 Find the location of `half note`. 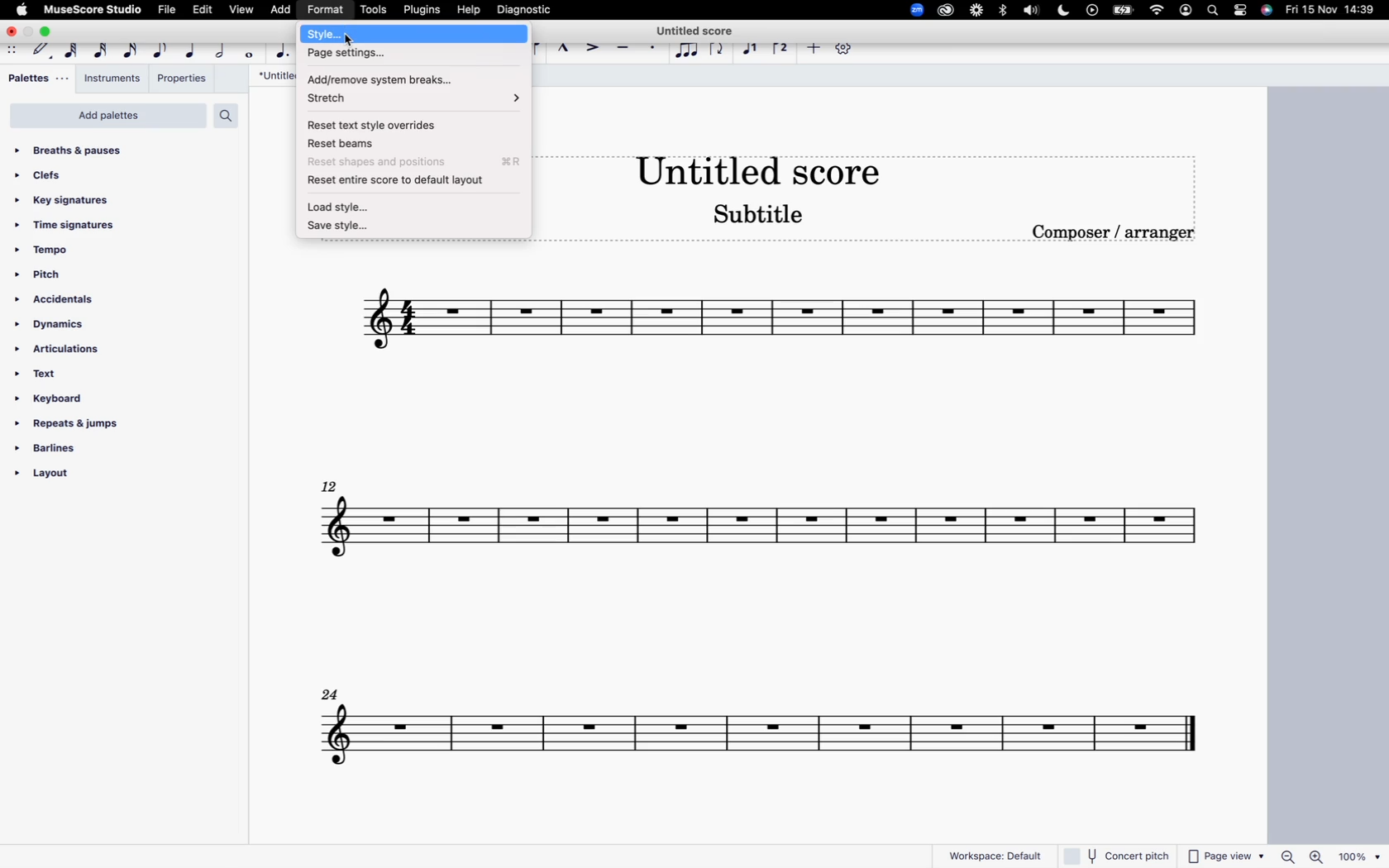

half note is located at coordinates (223, 53).